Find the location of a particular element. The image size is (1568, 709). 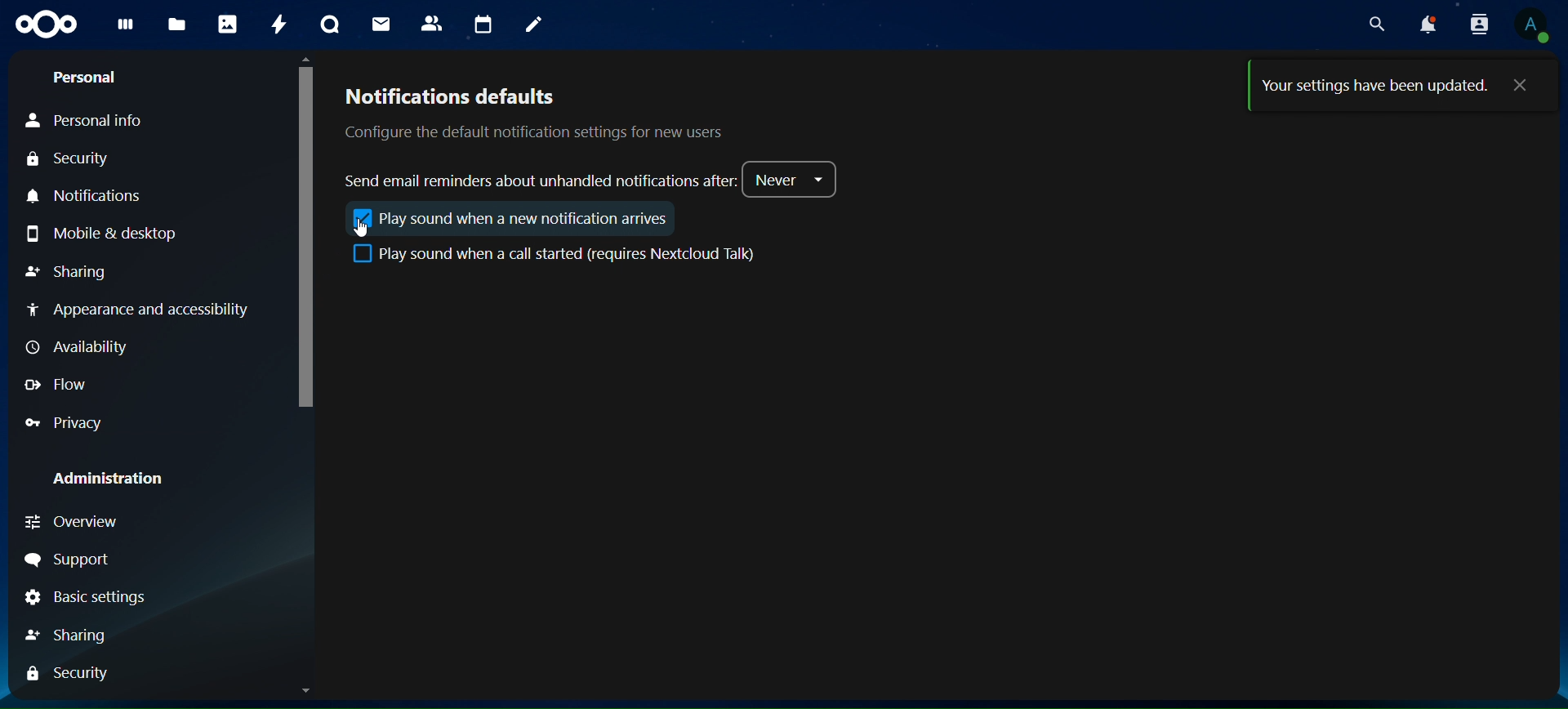

dashboard is located at coordinates (124, 29).